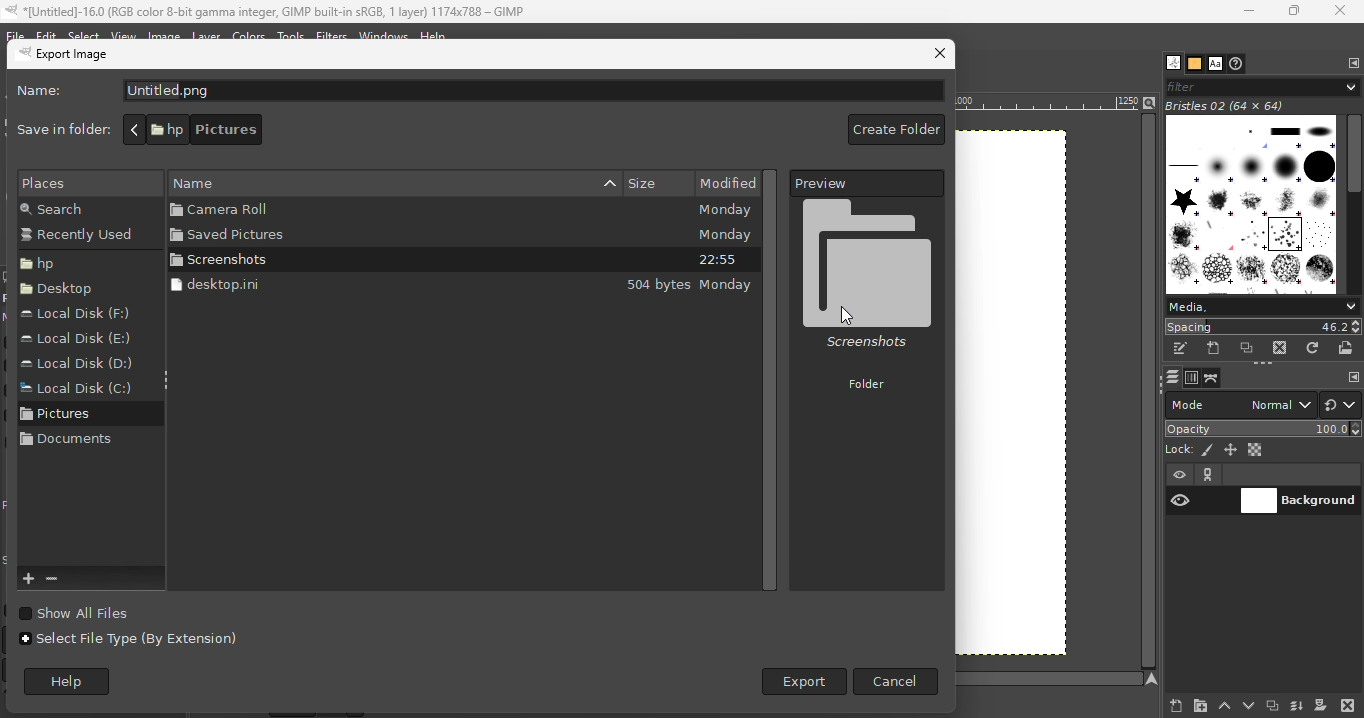  I want to click on Fonts, so click(1215, 64).